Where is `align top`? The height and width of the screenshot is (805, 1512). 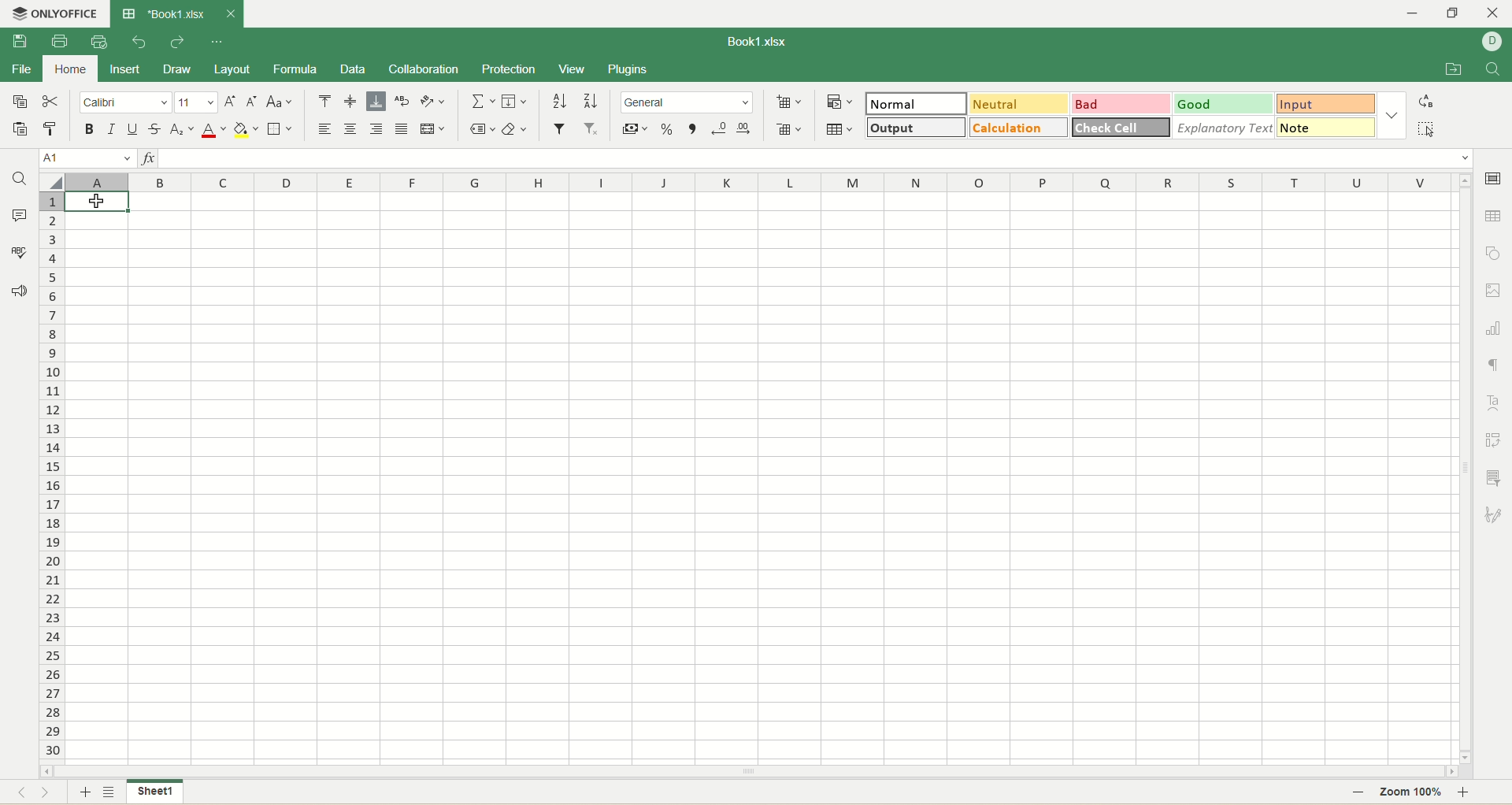
align top is located at coordinates (324, 103).